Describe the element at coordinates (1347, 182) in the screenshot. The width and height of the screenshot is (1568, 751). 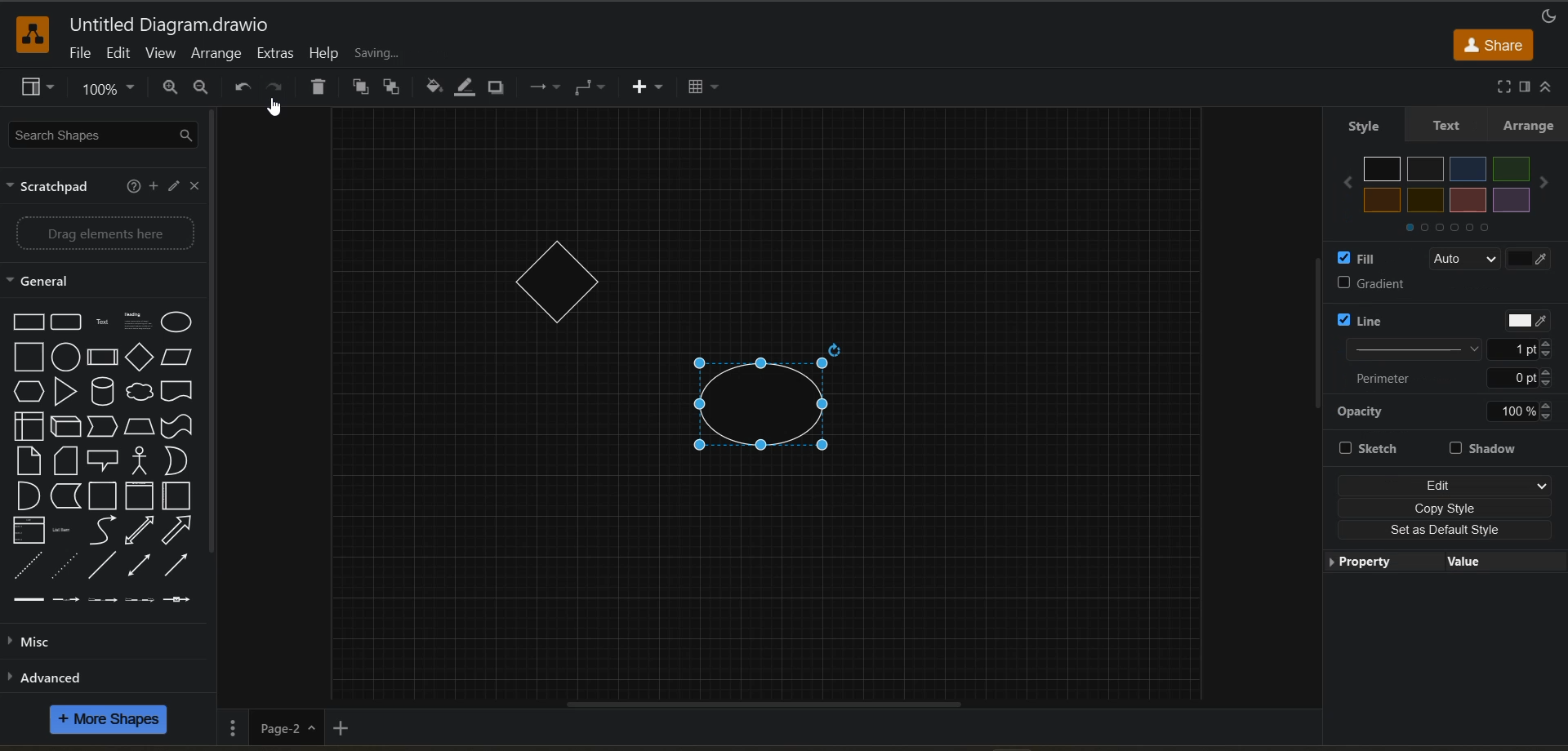
I see `previous` at that location.